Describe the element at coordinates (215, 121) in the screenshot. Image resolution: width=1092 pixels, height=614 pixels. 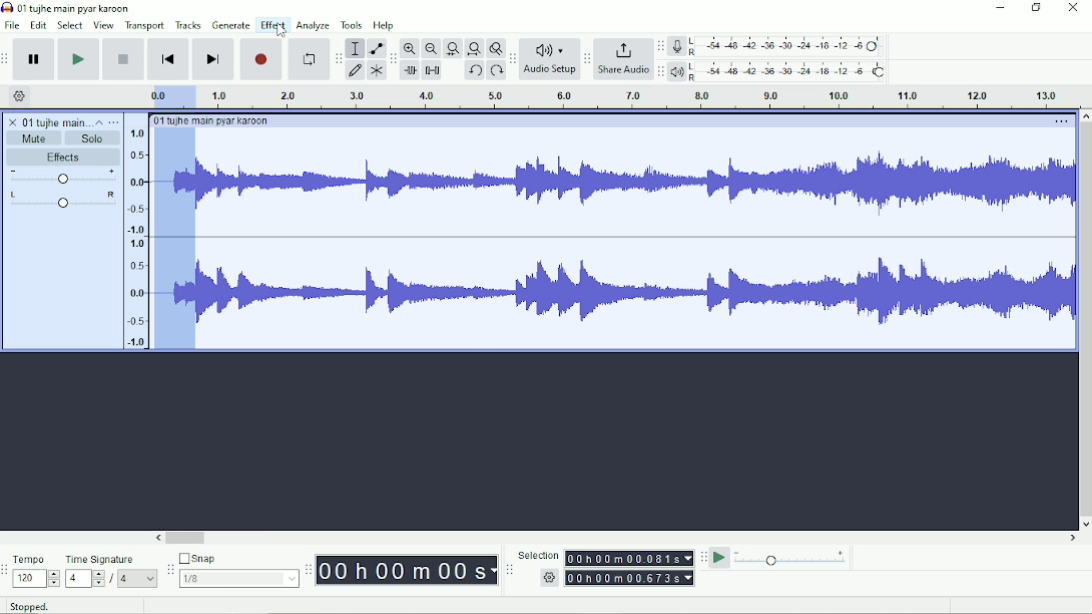
I see `01 tujhe main pyar karoon` at that location.